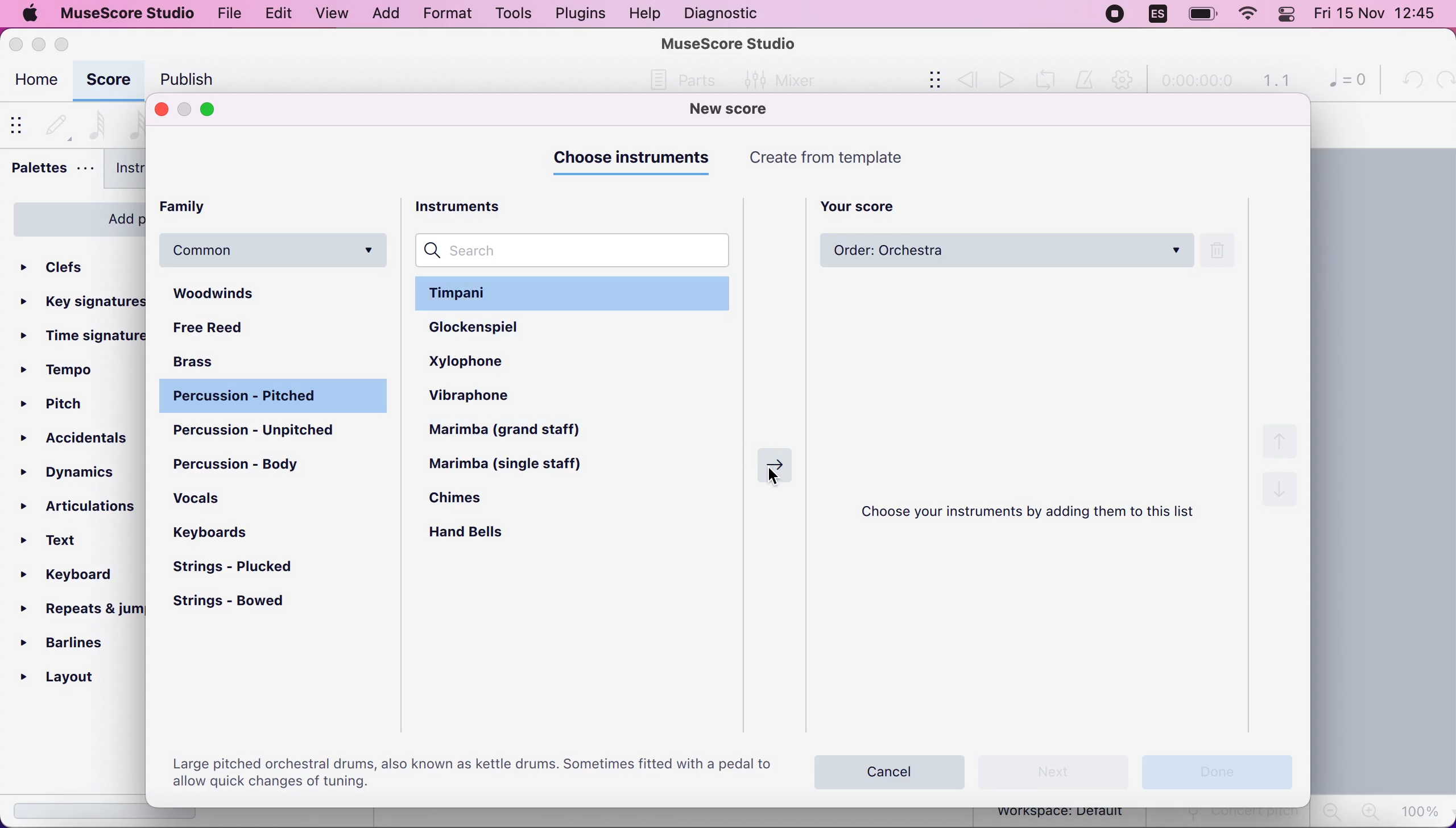 The width and height of the screenshot is (1456, 828). Describe the element at coordinates (490, 360) in the screenshot. I see `xylophone` at that location.